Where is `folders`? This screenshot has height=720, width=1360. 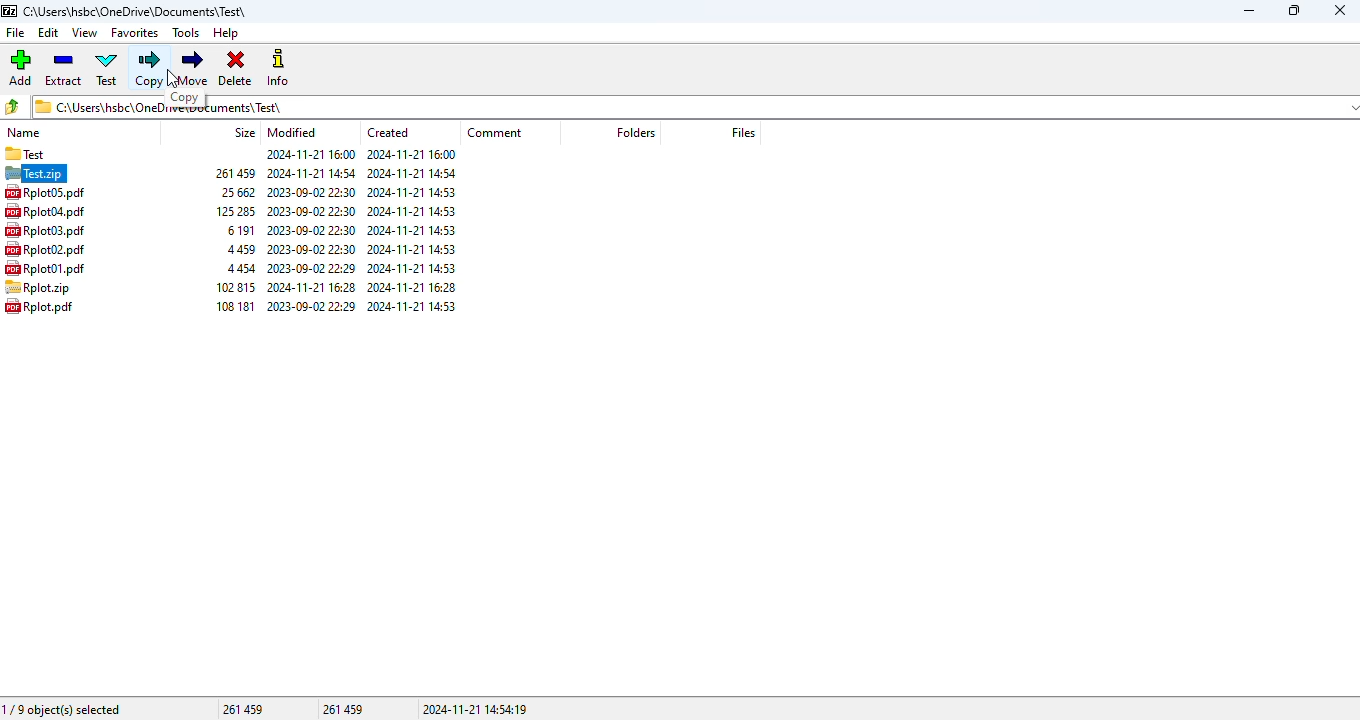 folders is located at coordinates (635, 131).